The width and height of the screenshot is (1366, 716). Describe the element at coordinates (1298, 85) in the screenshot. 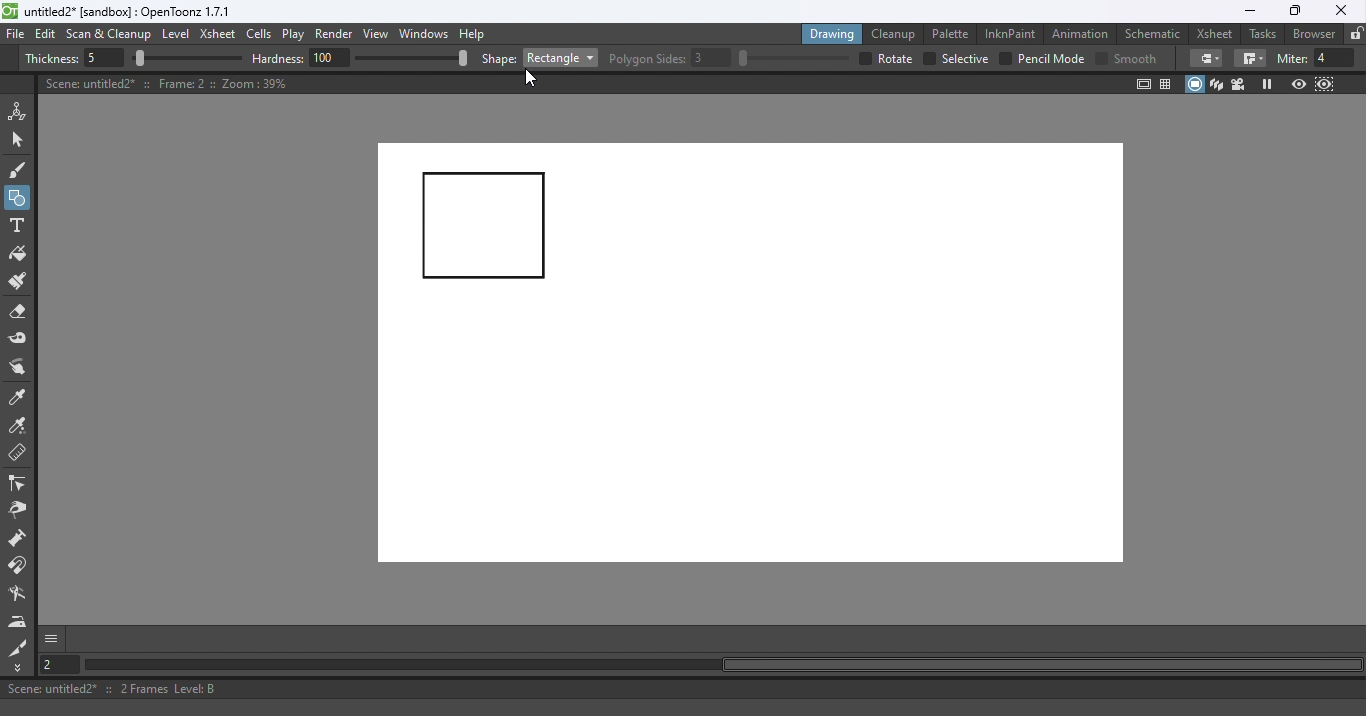

I see `Preview` at that location.